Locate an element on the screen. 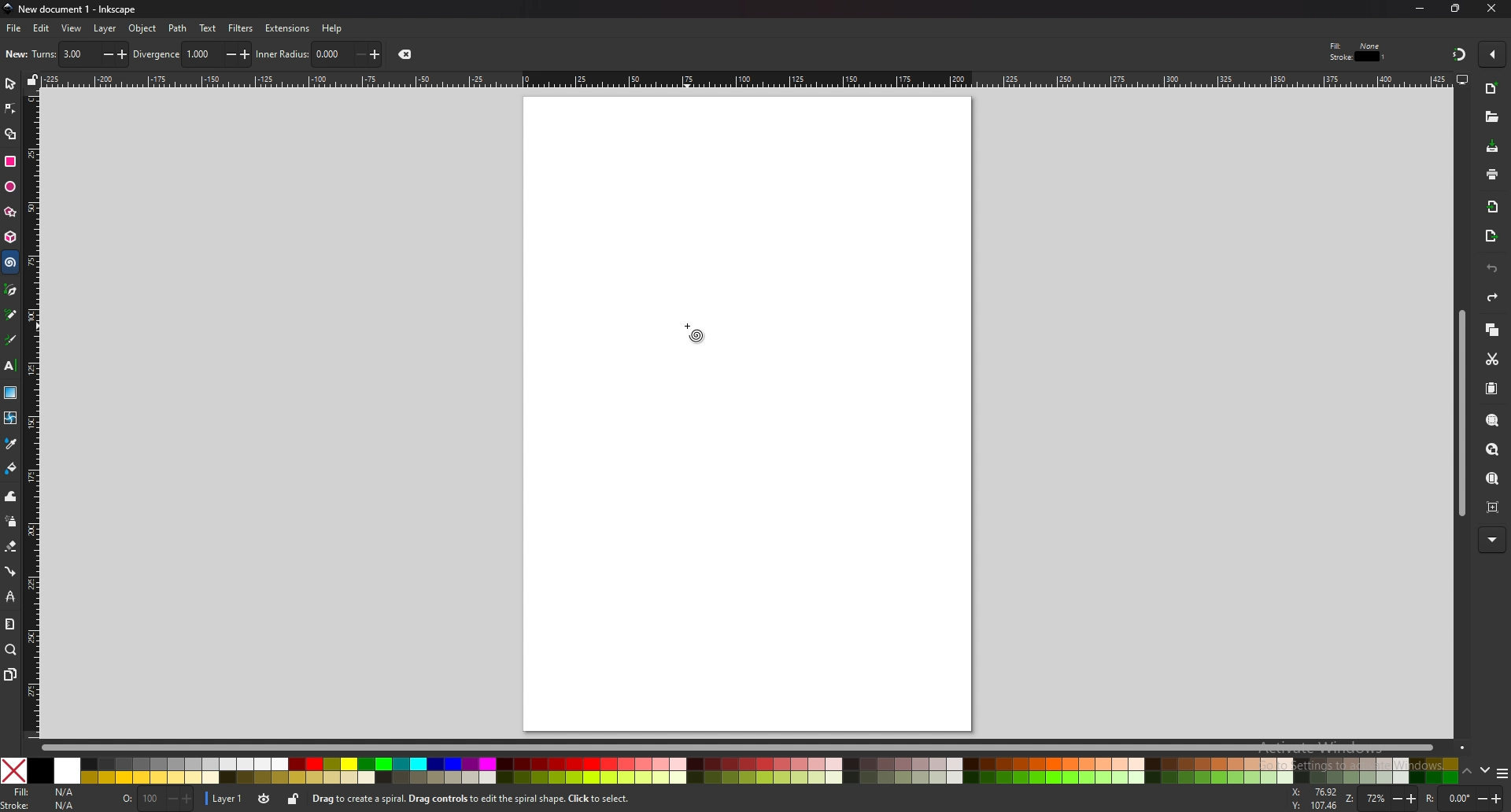 The width and height of the screenshot is (1511, 812). up is located at coordinates (1466, 770).